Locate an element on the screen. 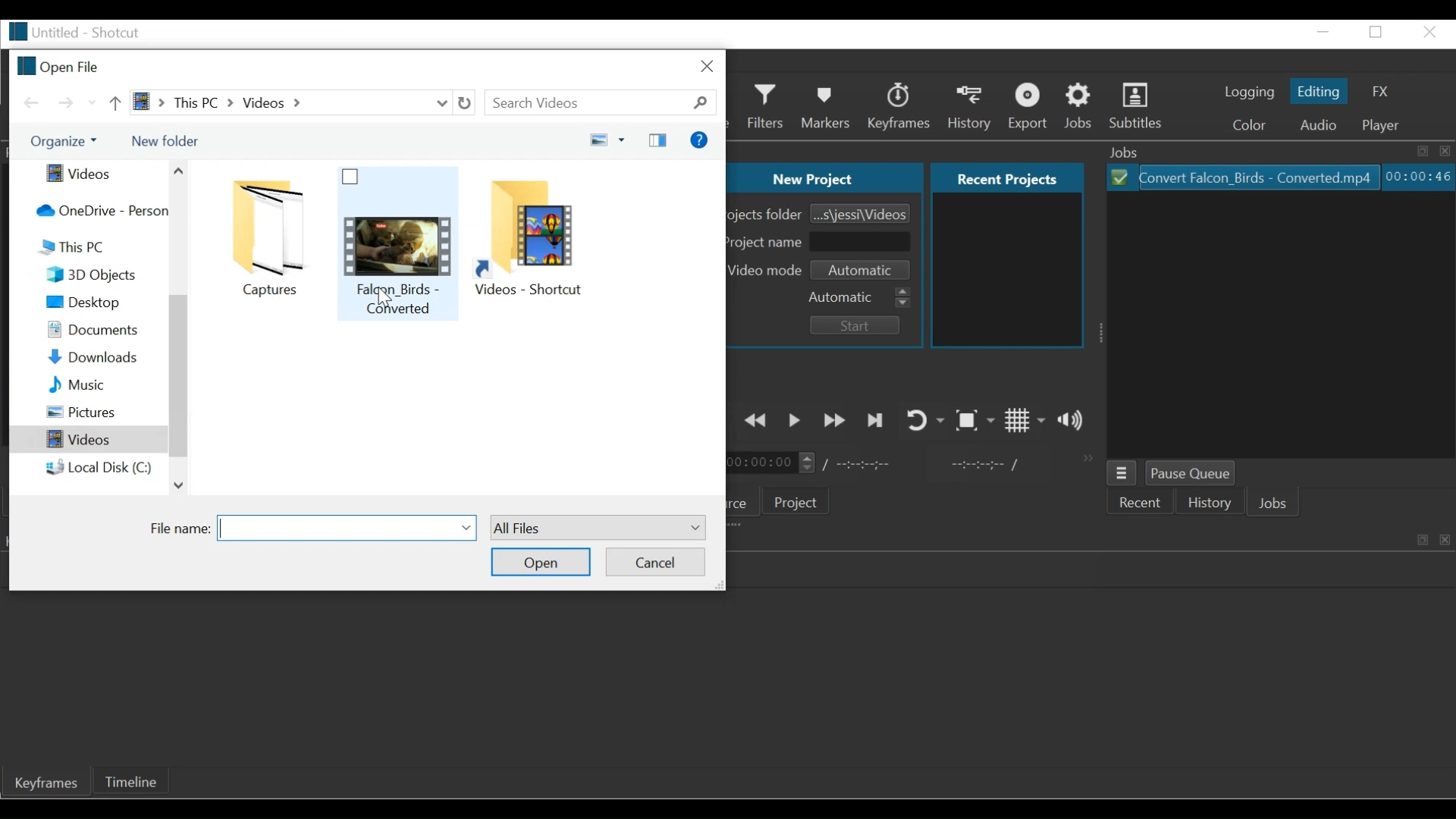 This screenshot has height=819, width=1456. In point is located at coordinates (986, 465).